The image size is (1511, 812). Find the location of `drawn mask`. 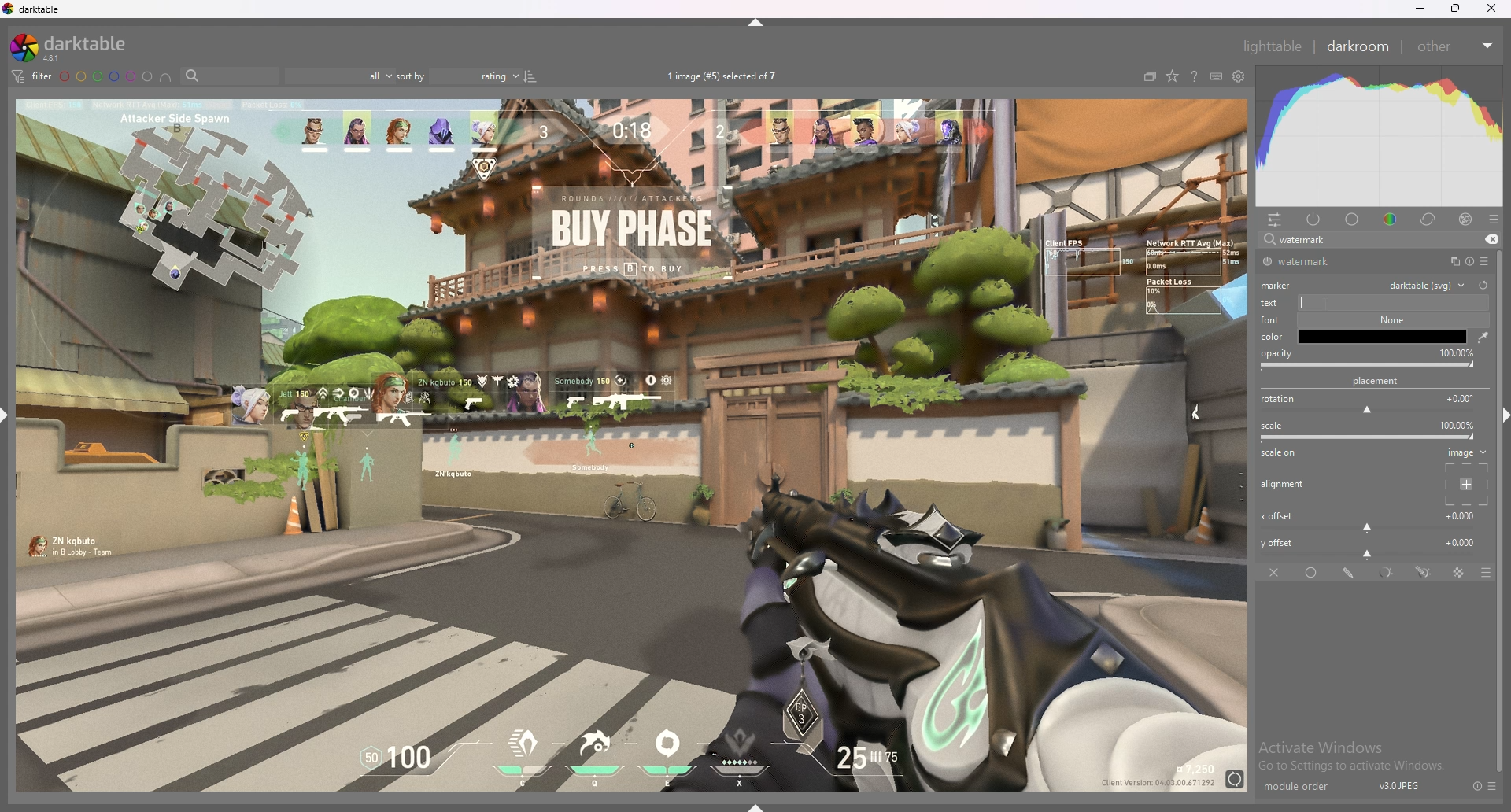

drawn mask is located at coordinates (1350, 573).